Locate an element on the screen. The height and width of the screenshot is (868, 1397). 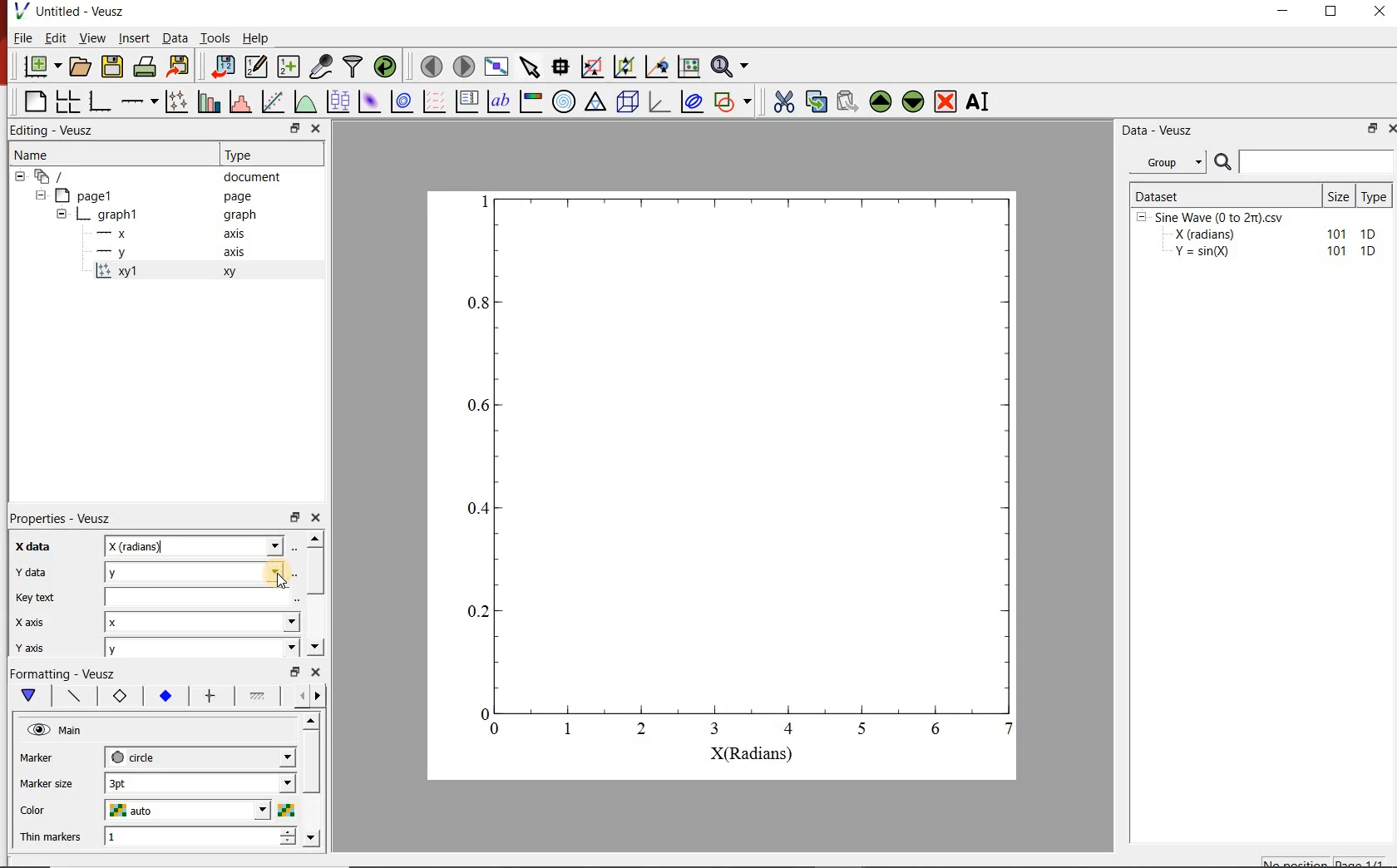
plot key is located at coordinates (468, 101).